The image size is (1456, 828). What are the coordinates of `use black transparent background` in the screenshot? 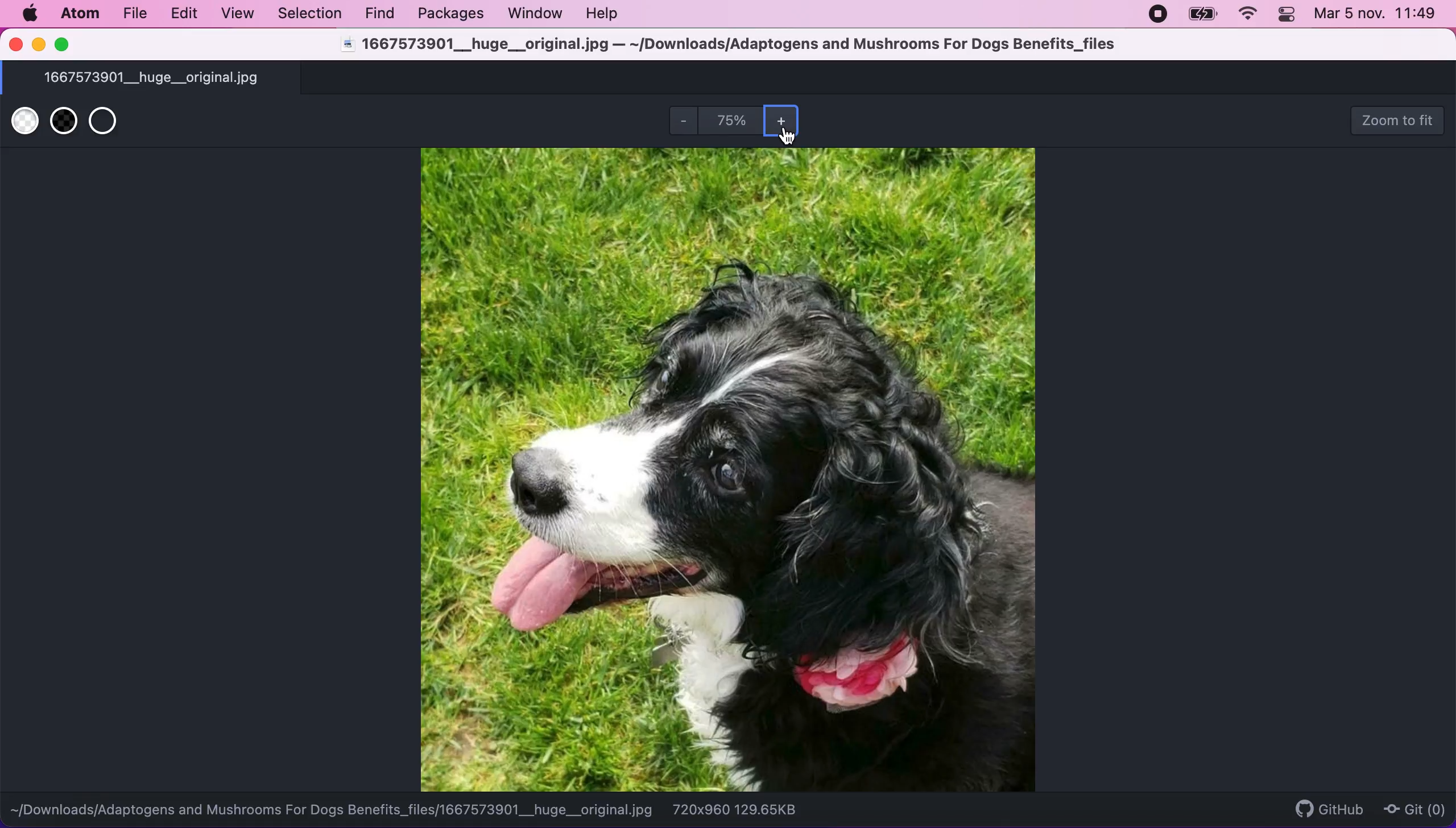 It's located at (61, 123).